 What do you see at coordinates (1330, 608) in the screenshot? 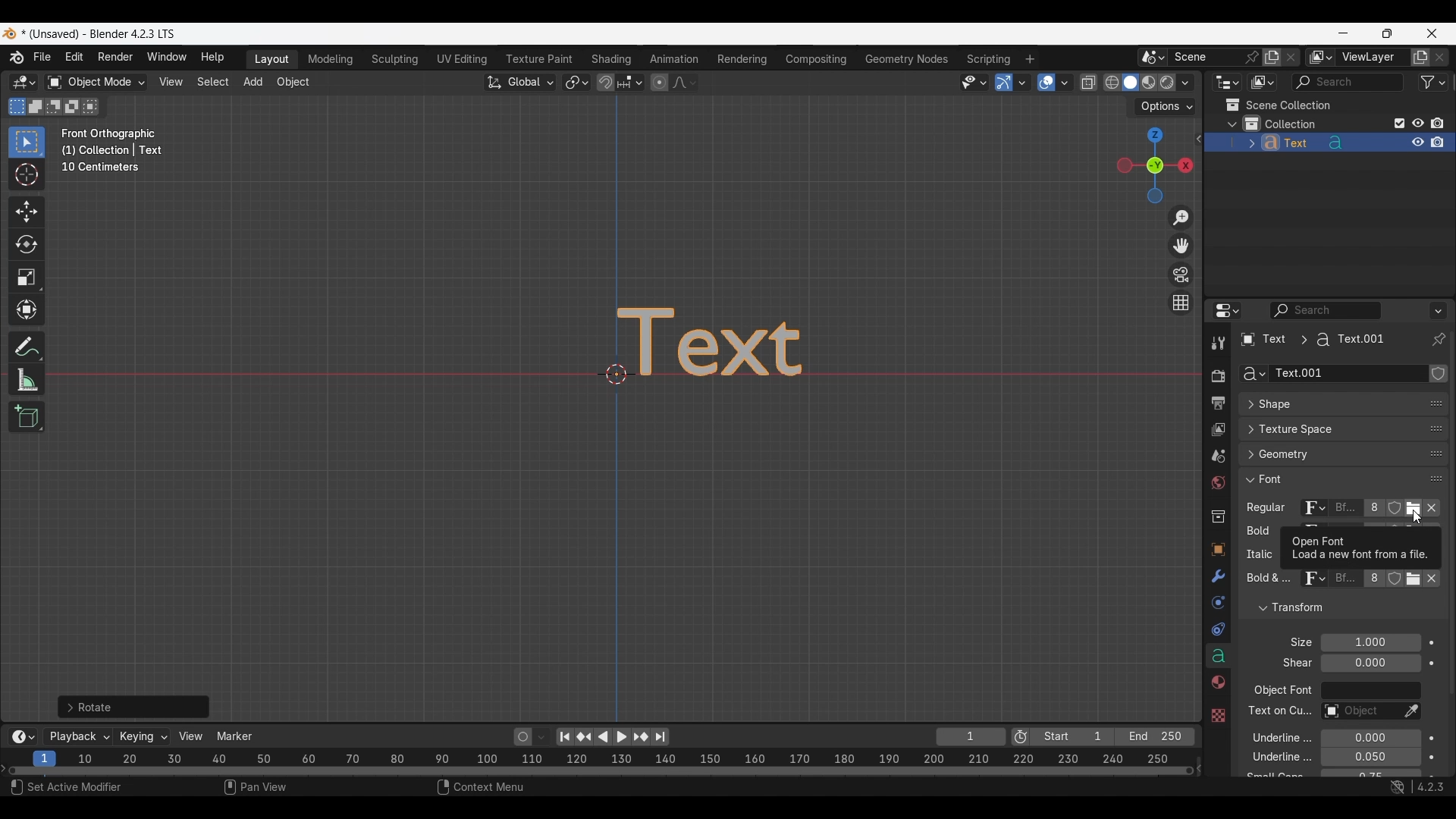
I see `Click to collapse Transform` at bounding box center [1330, 608].